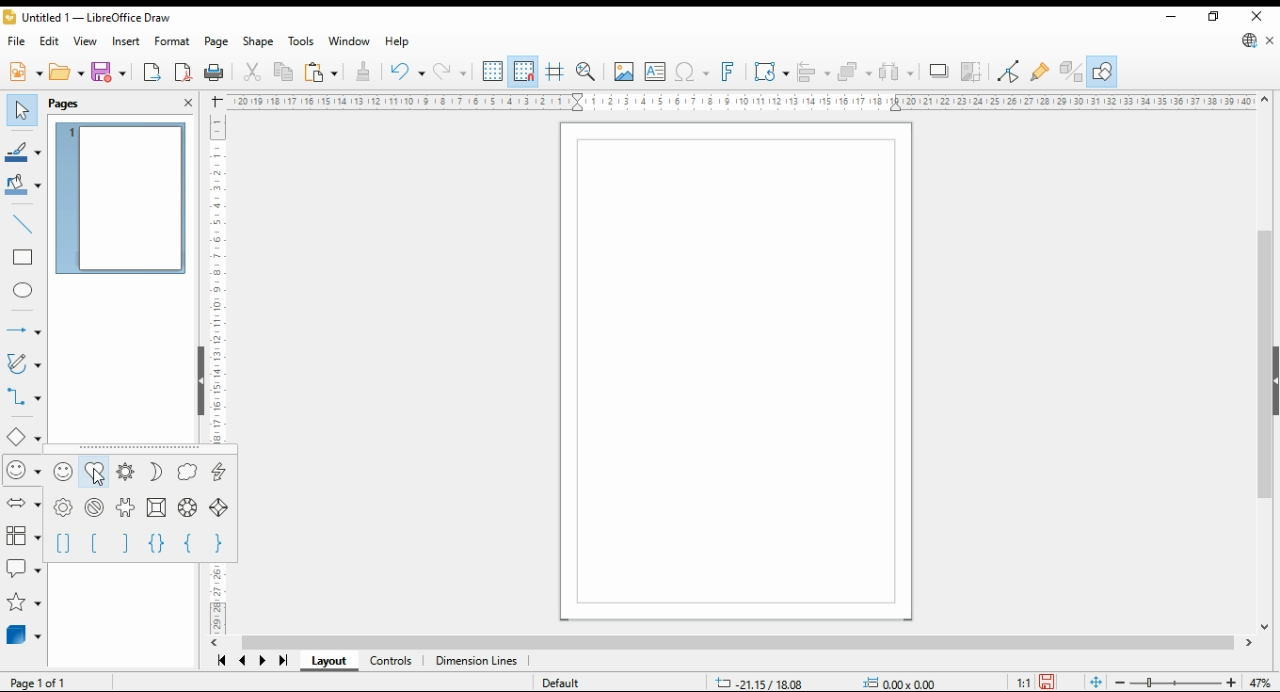  I want to click on icon and filename, so click(87, 17).